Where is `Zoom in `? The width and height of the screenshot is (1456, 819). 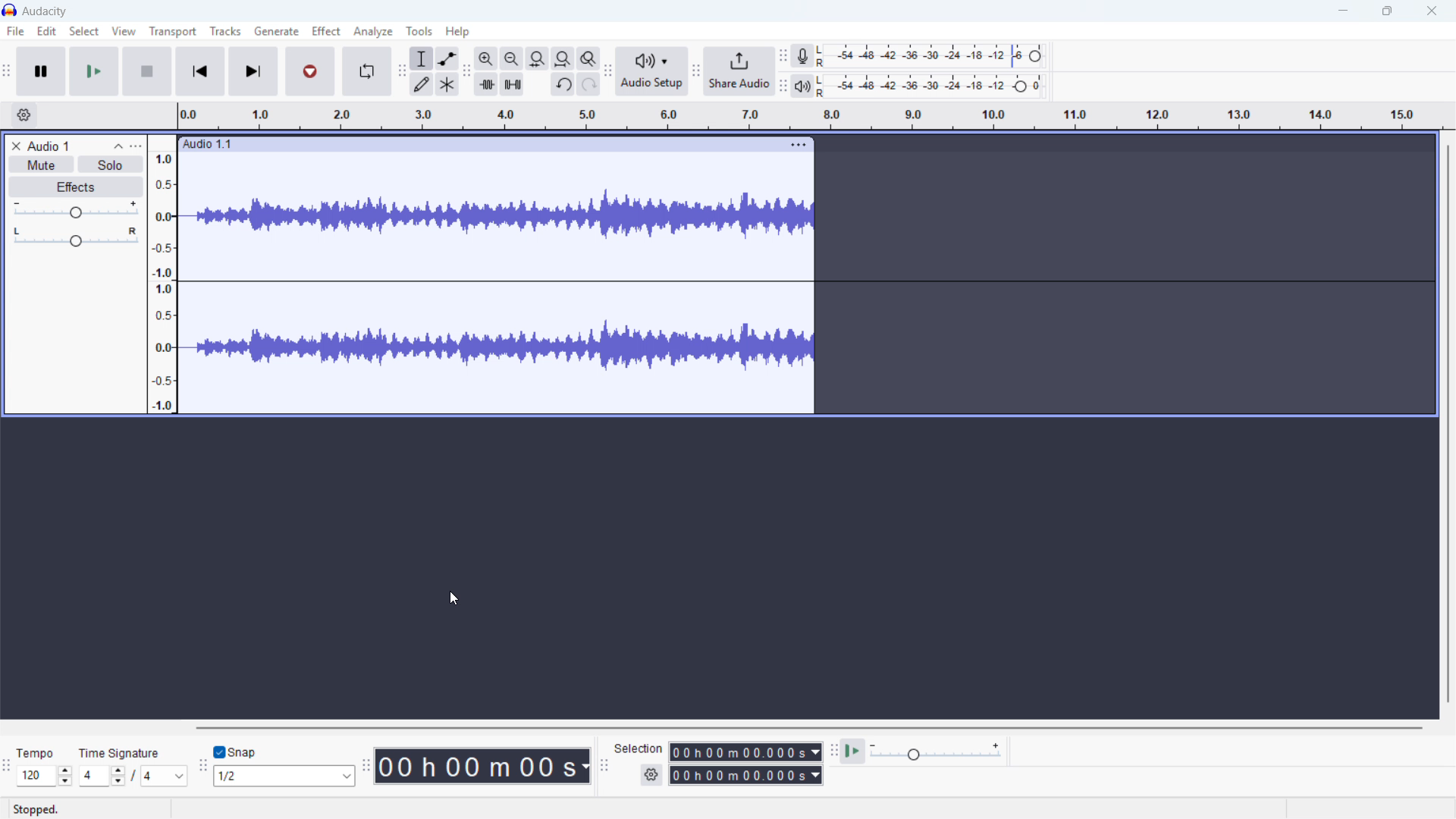
Zoom in  is located at coordinates (486, 58).